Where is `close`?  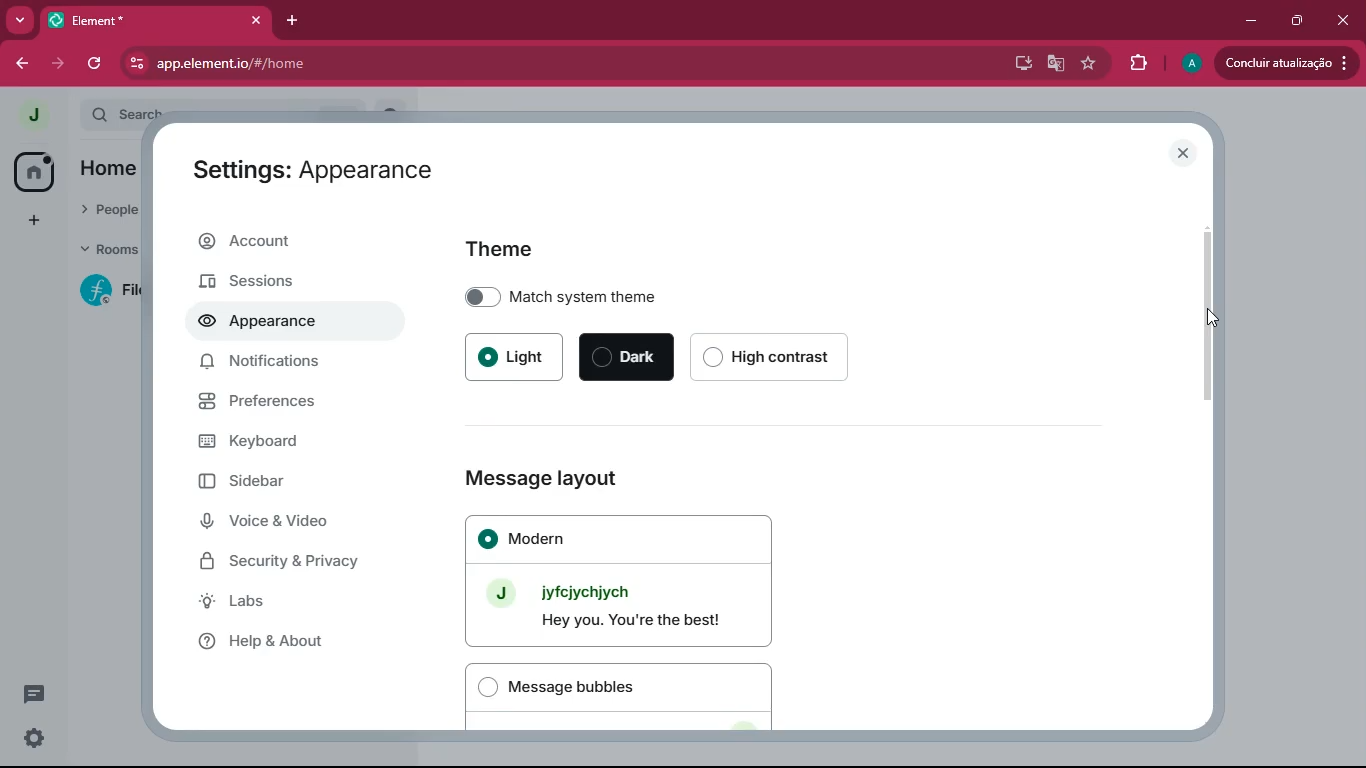 close is located at coordinates (1344, 15).